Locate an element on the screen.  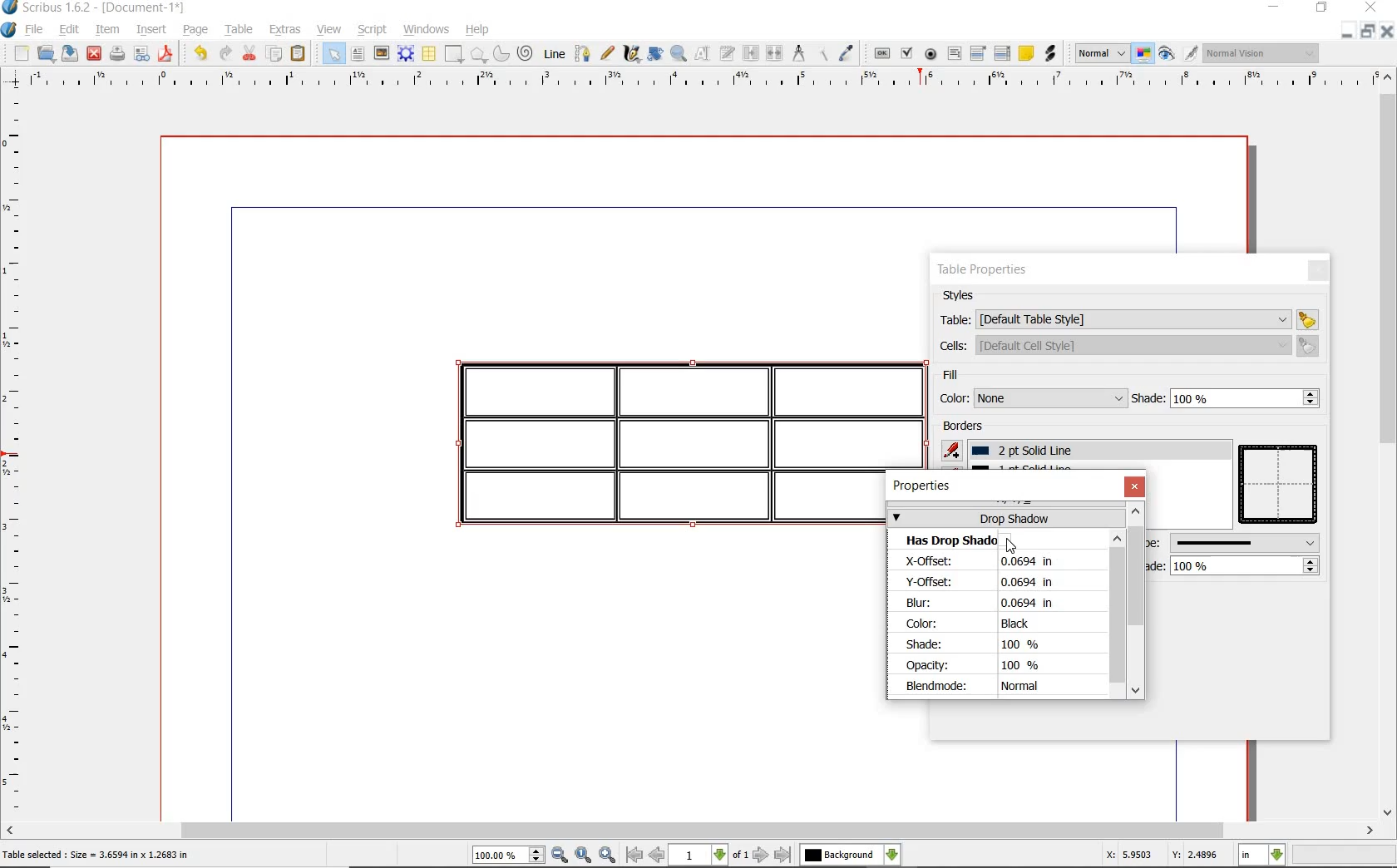
table properties is located at coordinates (984, 272).